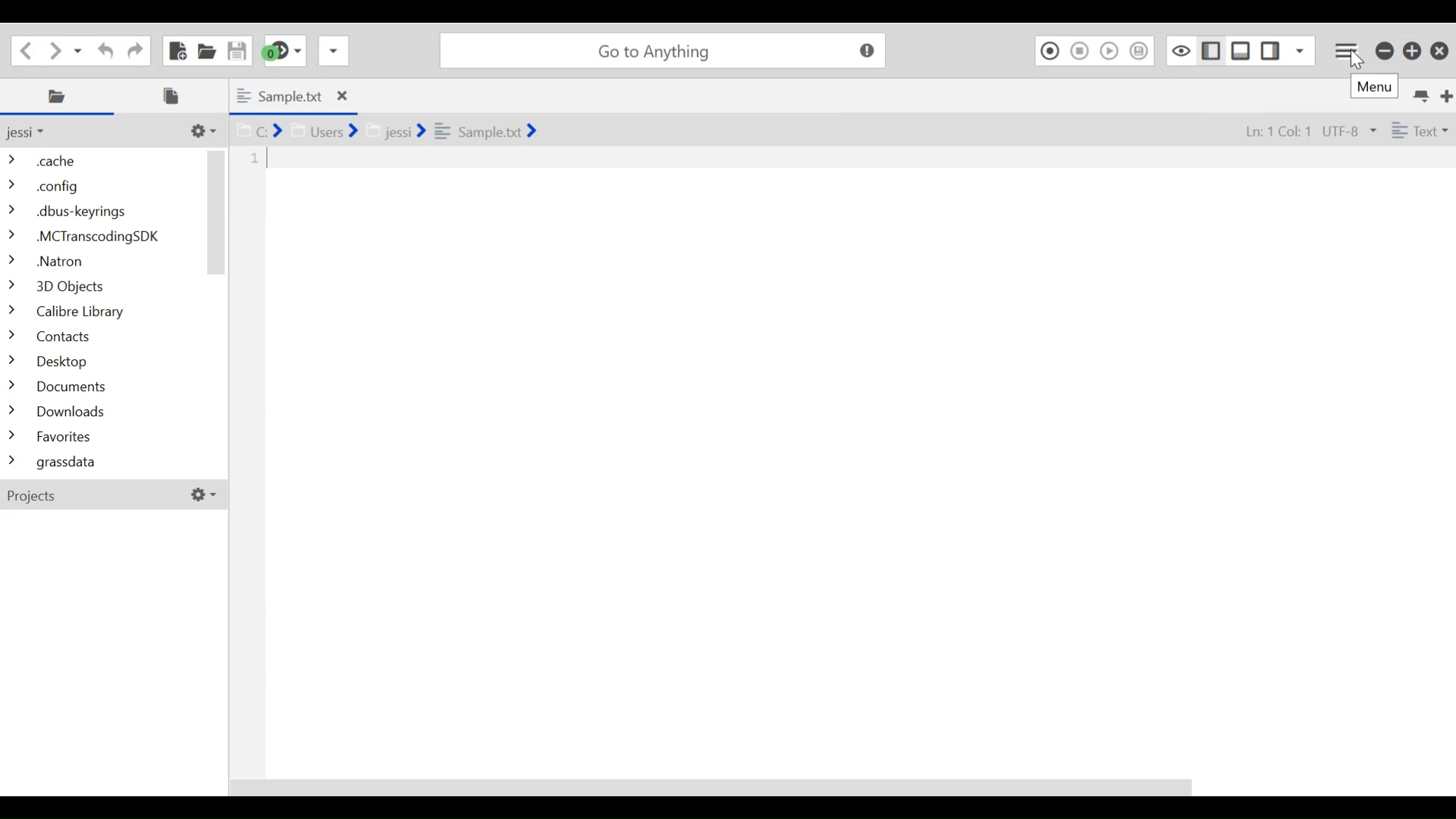  I want to click on Share current file, so click(333, 50).